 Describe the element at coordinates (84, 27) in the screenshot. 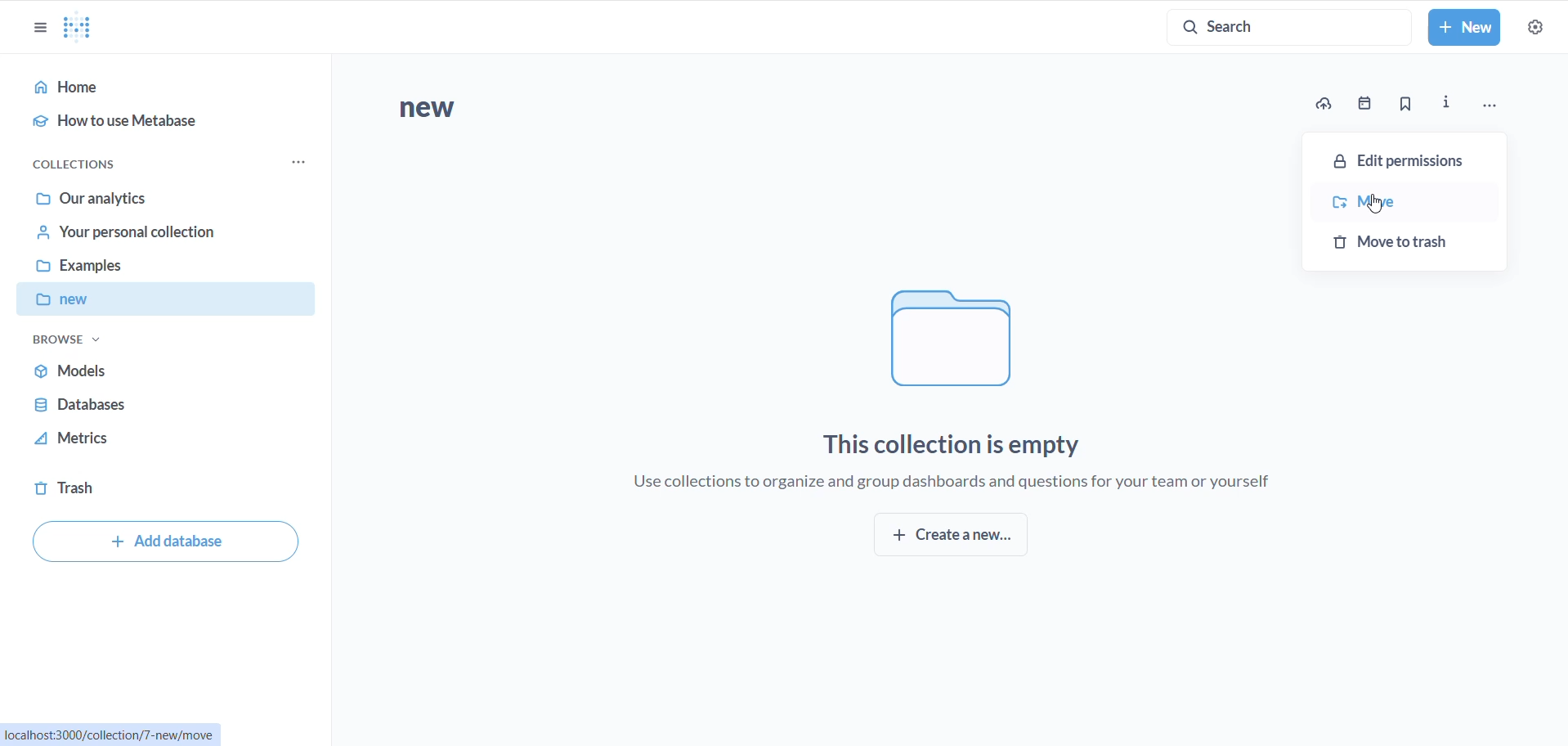

I see `LOGO` at that location.